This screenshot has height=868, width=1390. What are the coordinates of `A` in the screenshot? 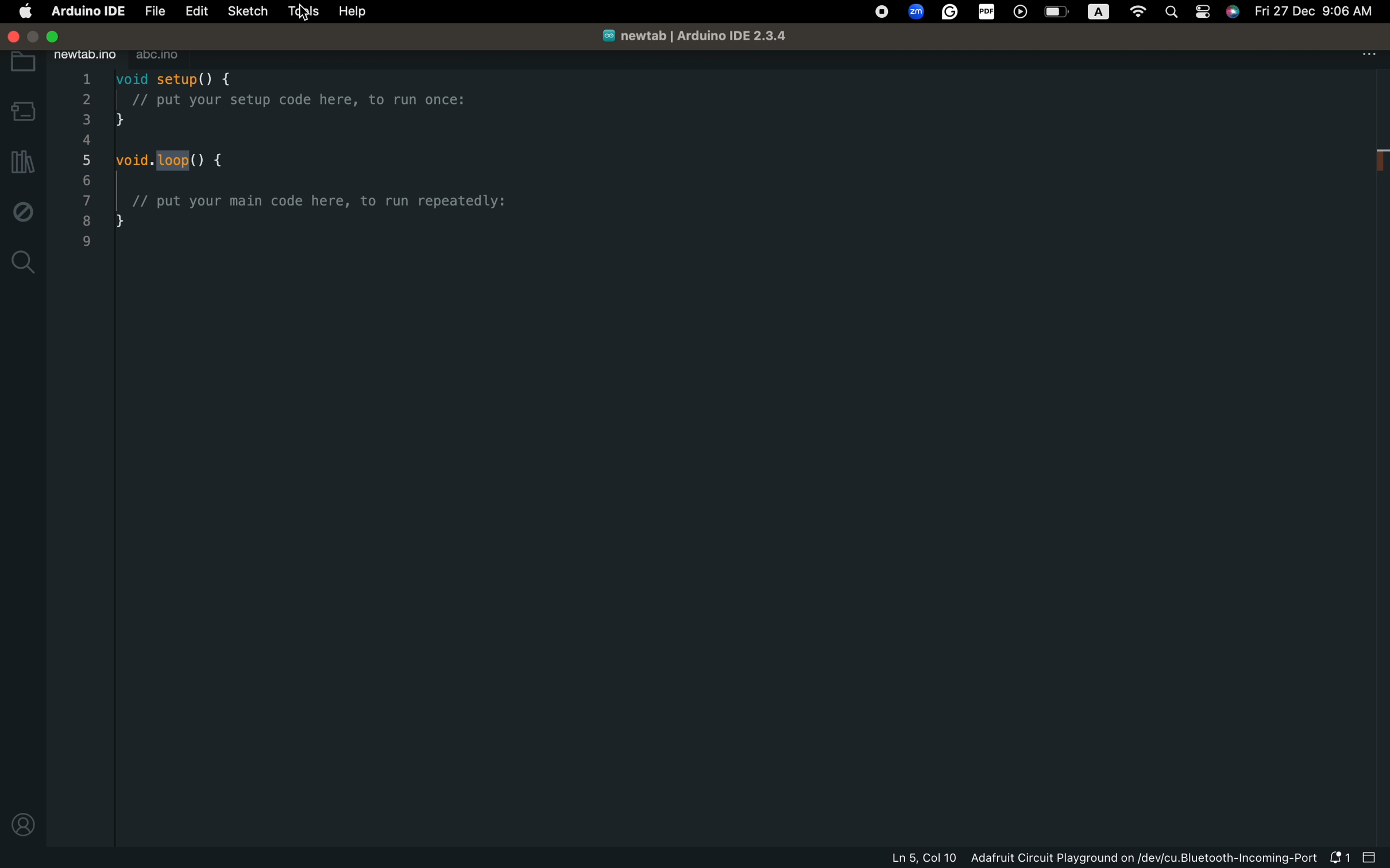 It's located at (1096, 13).